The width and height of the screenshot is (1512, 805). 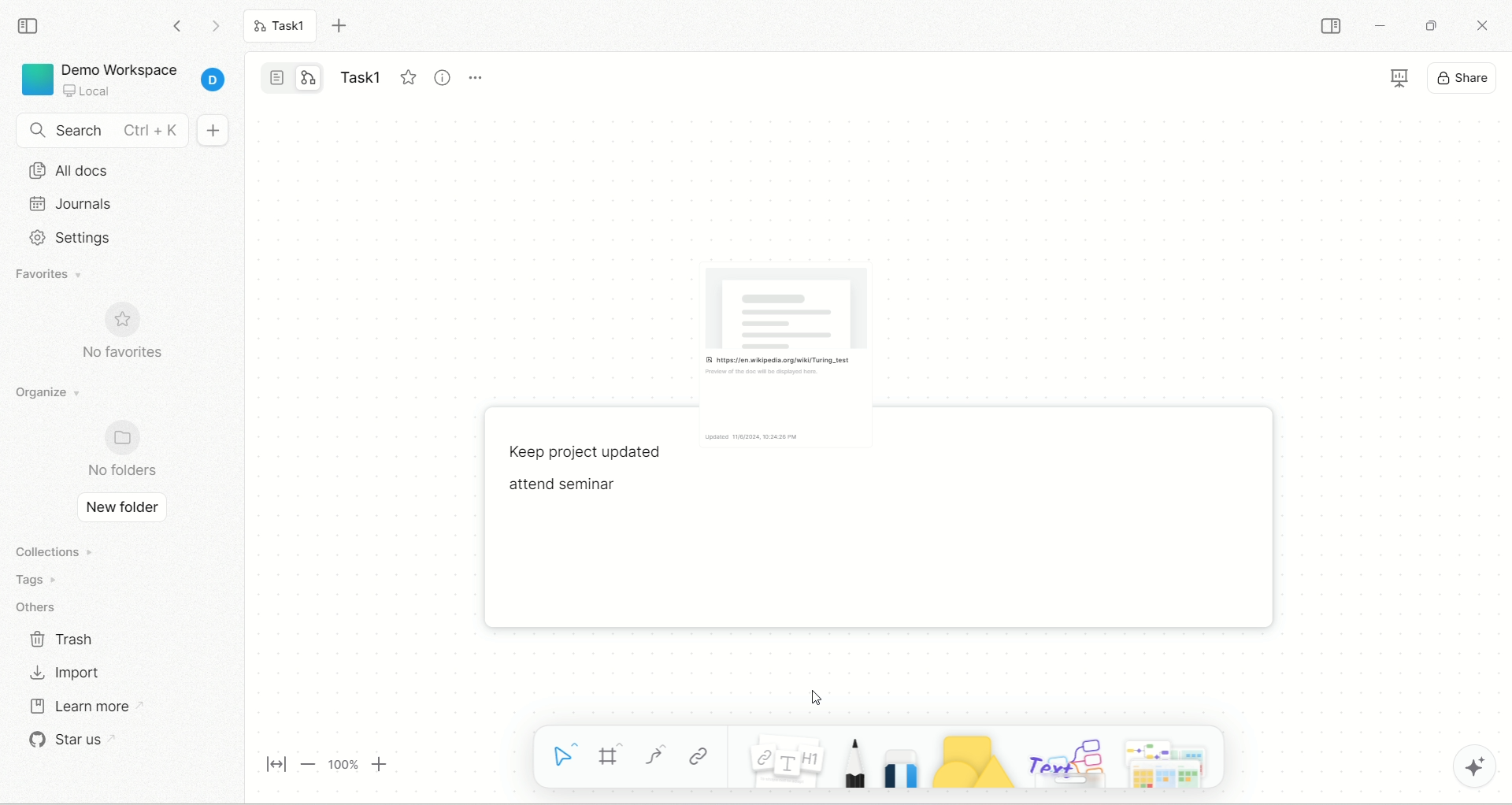 I want to click on frame, so click(x=610, y=755).